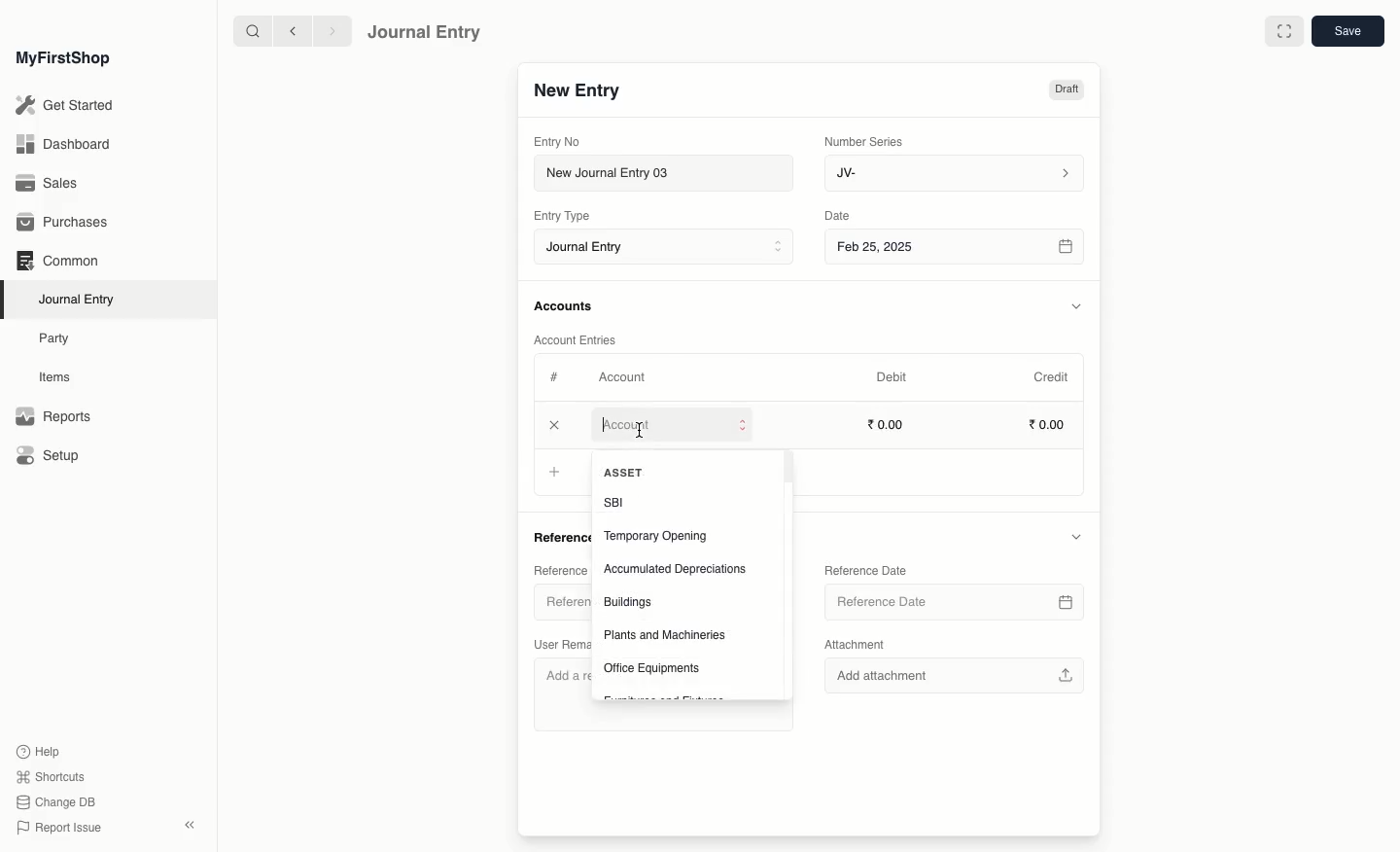 This screenshot has height=852, width=1400. I want to click on New Journal Entry 03, so click(669, 174).